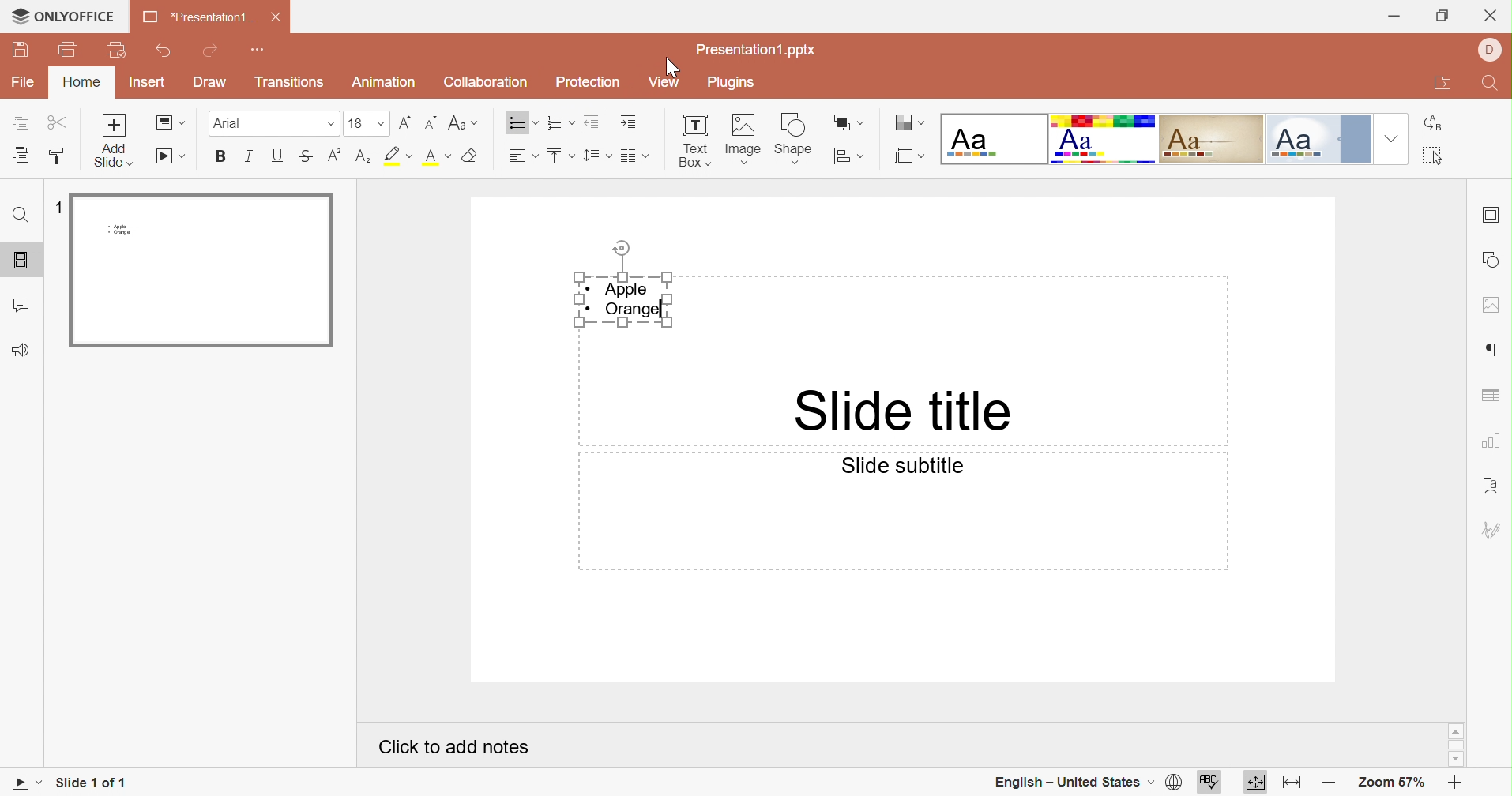 The width and height of the screenshot is (1512, 796). I want to click on set document language, so click(1171, 783).